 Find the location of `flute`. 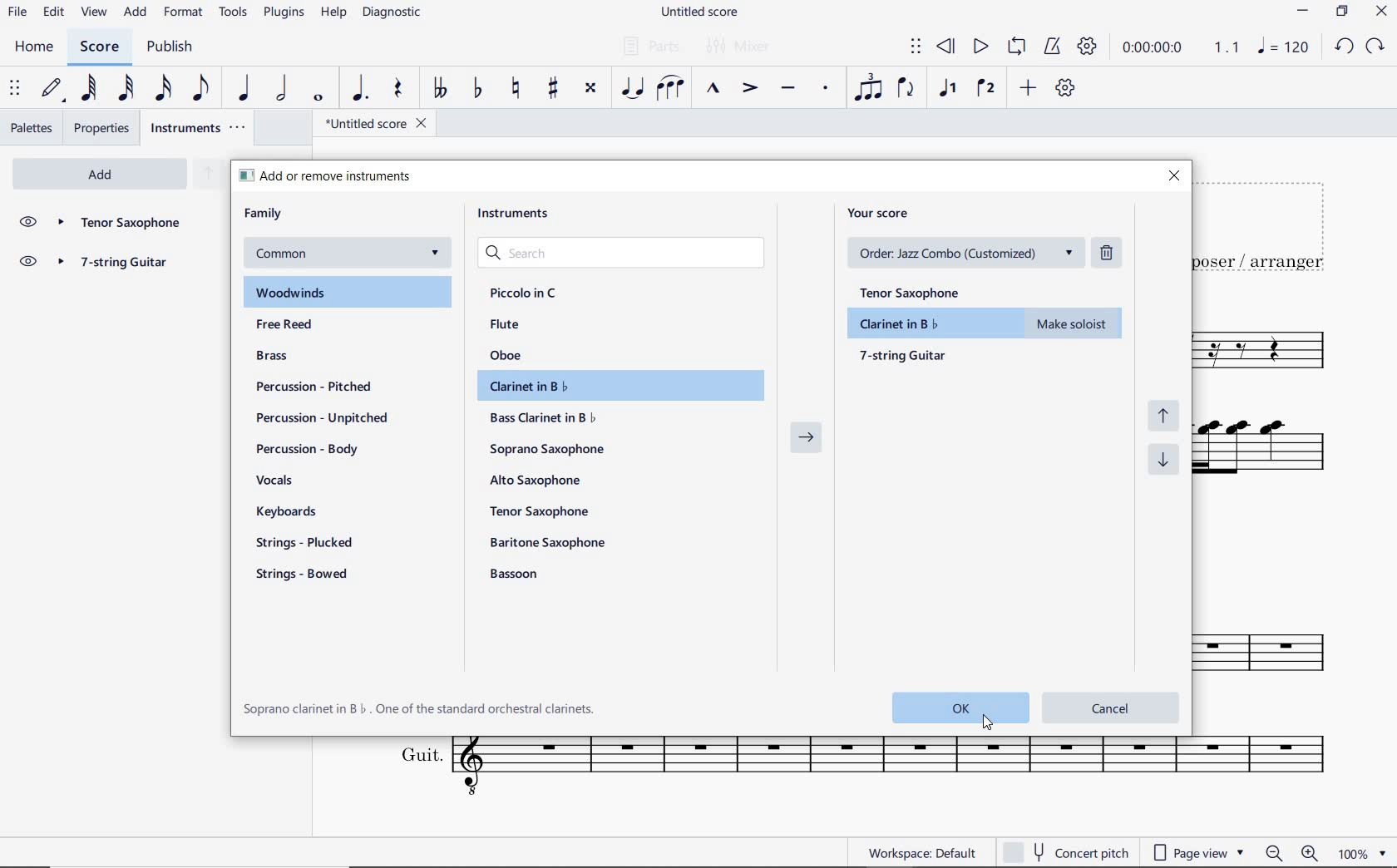

flute is located at coordinates (505, 323).